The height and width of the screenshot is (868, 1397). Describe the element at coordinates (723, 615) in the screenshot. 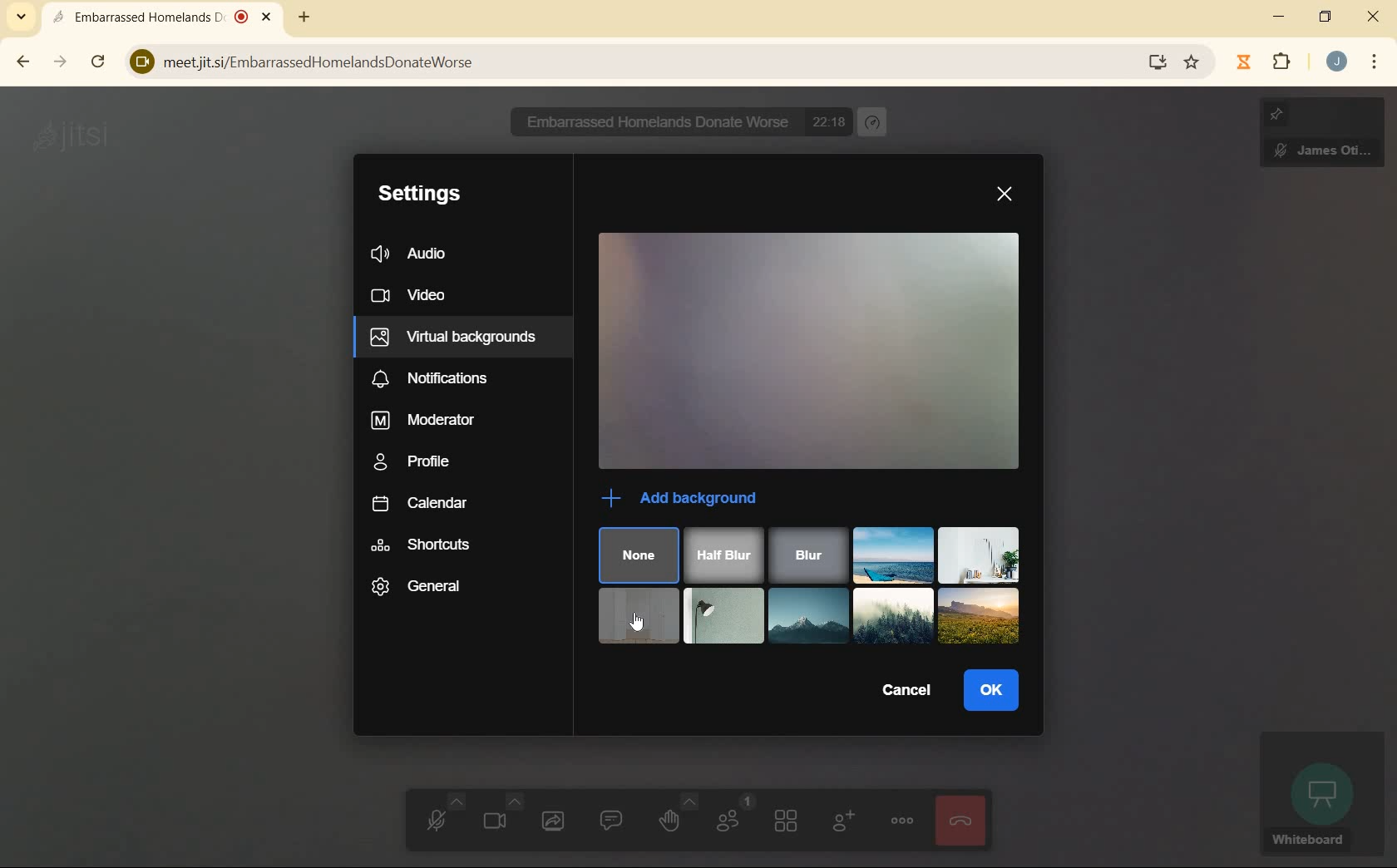

I see `black floor lumpt` at that location.